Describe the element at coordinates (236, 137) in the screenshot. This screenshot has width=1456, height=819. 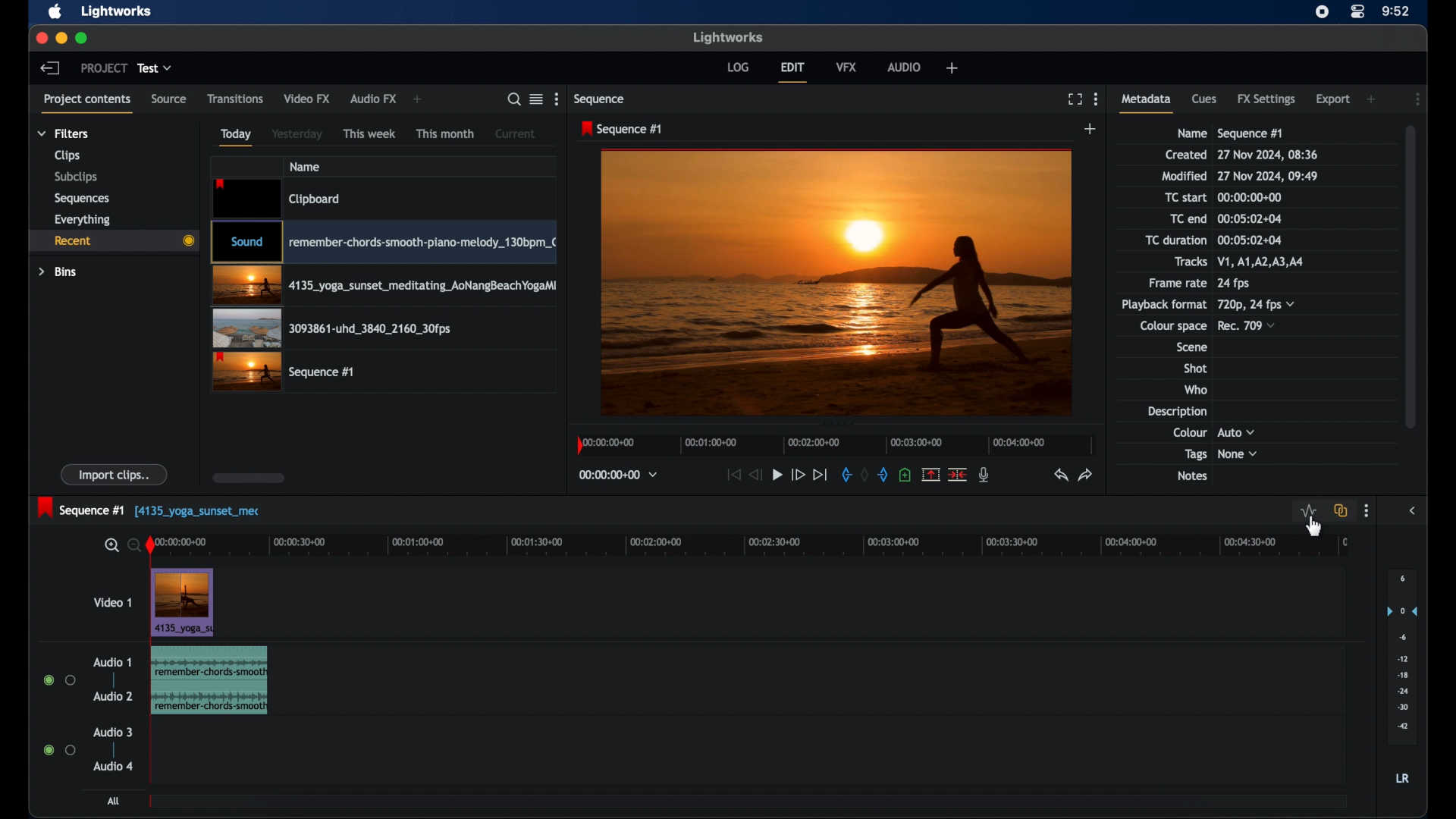
I see `today` at that location.